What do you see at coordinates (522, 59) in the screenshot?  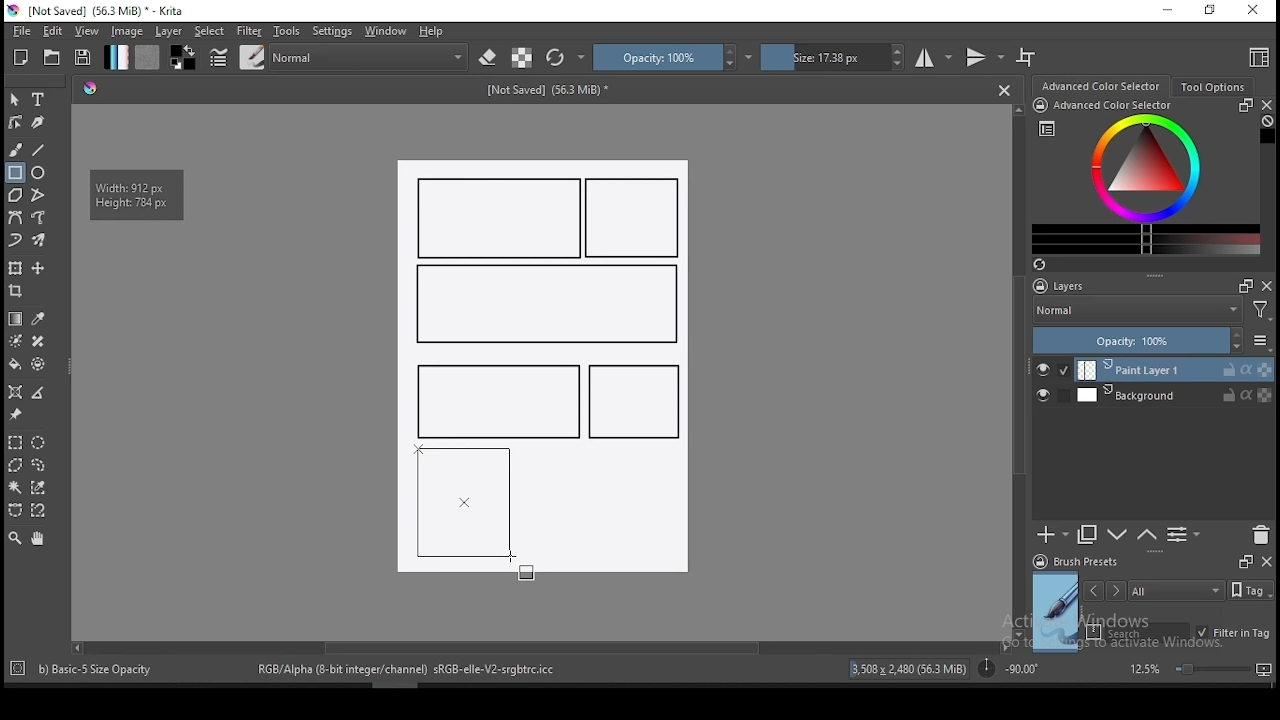 I see `preserve alpha` at bounding box center [522, 59].